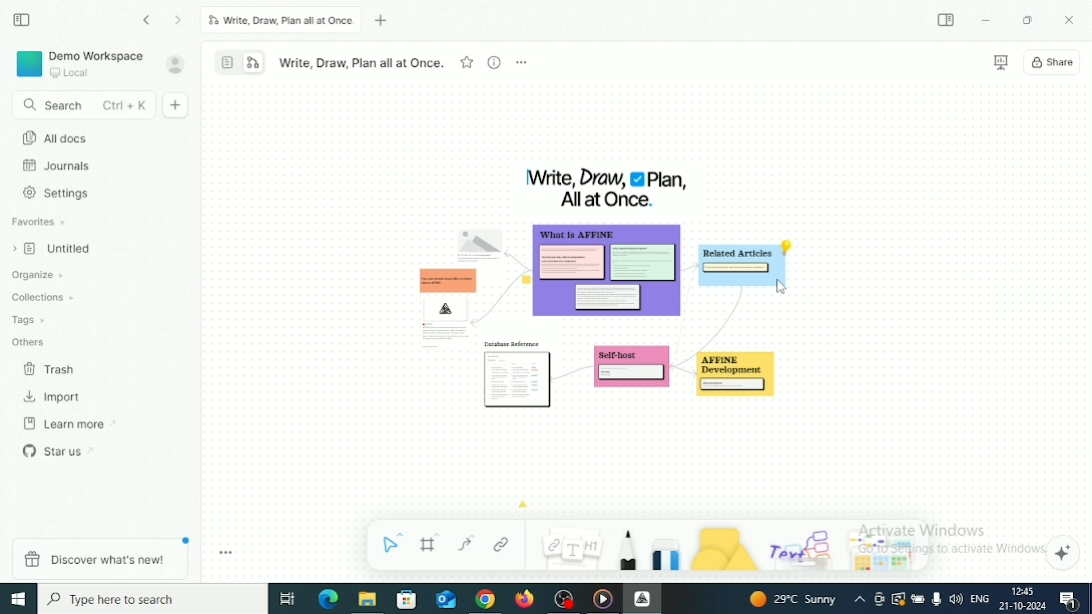 This screenshot has height=614, width=1092. I want to click on Warning, so click(898, 599).